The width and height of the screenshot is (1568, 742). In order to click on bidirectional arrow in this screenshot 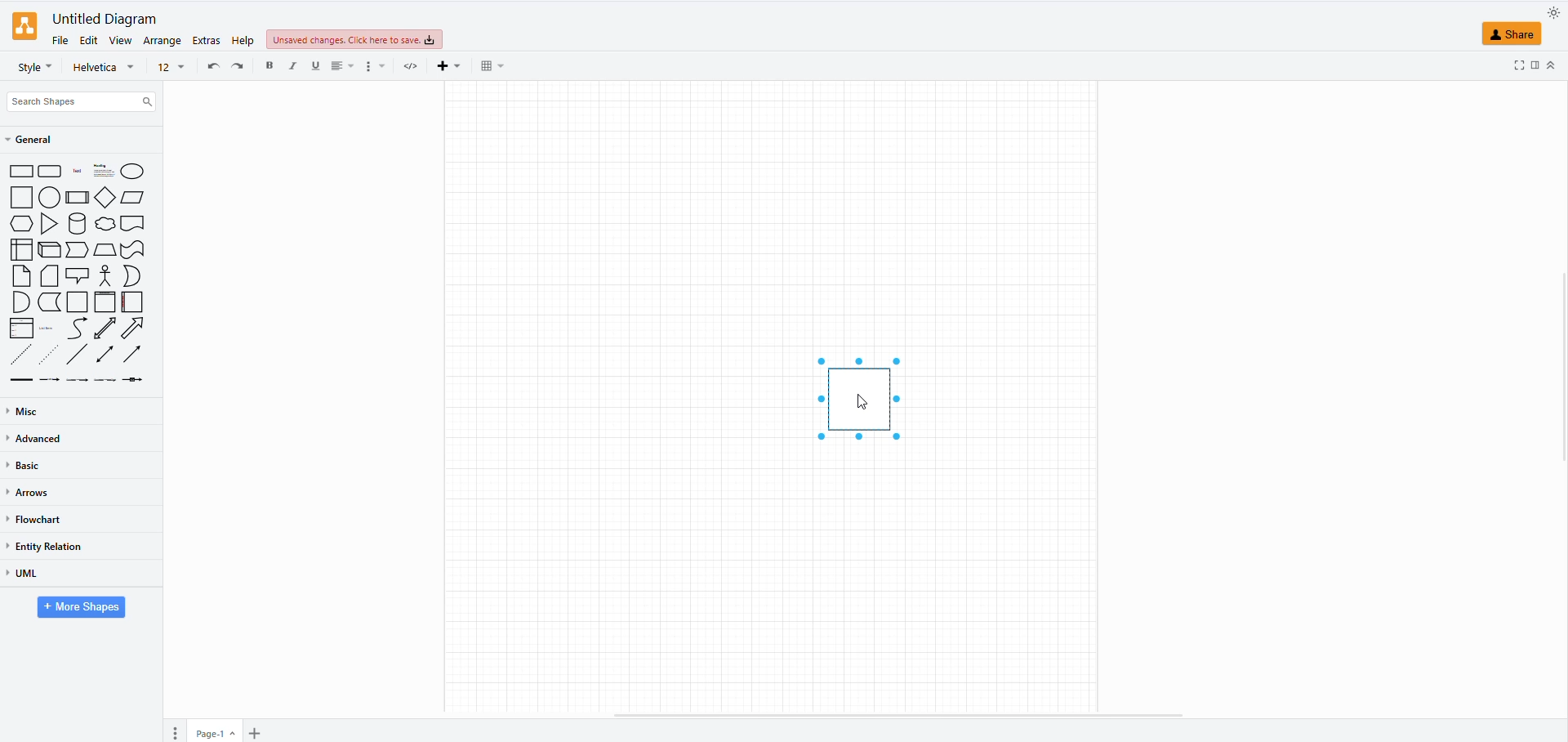, I will do `click(105, 329)`.